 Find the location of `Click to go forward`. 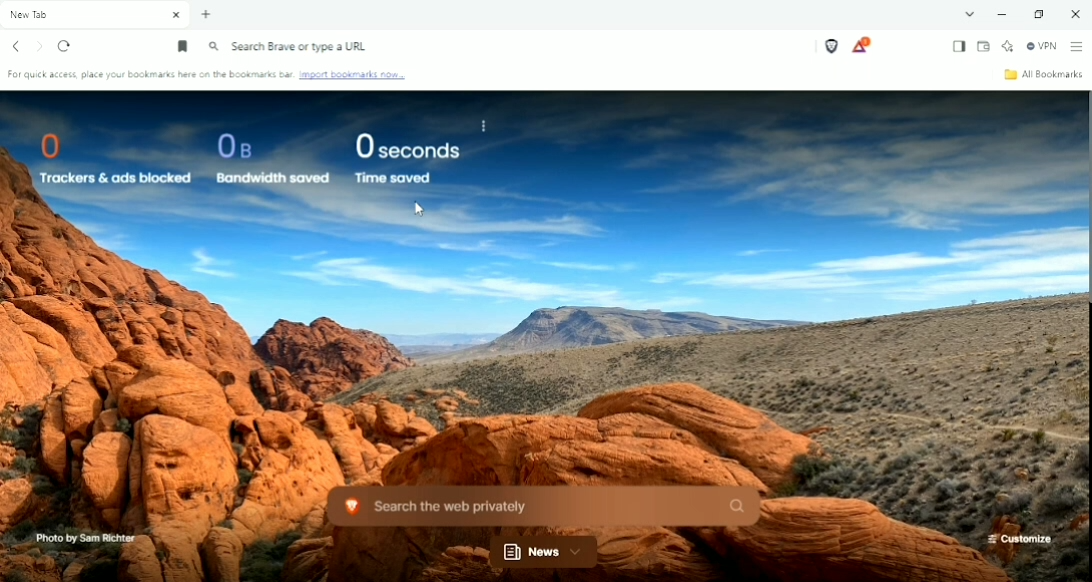

Click to go forward is located at coordinates (40, 46).